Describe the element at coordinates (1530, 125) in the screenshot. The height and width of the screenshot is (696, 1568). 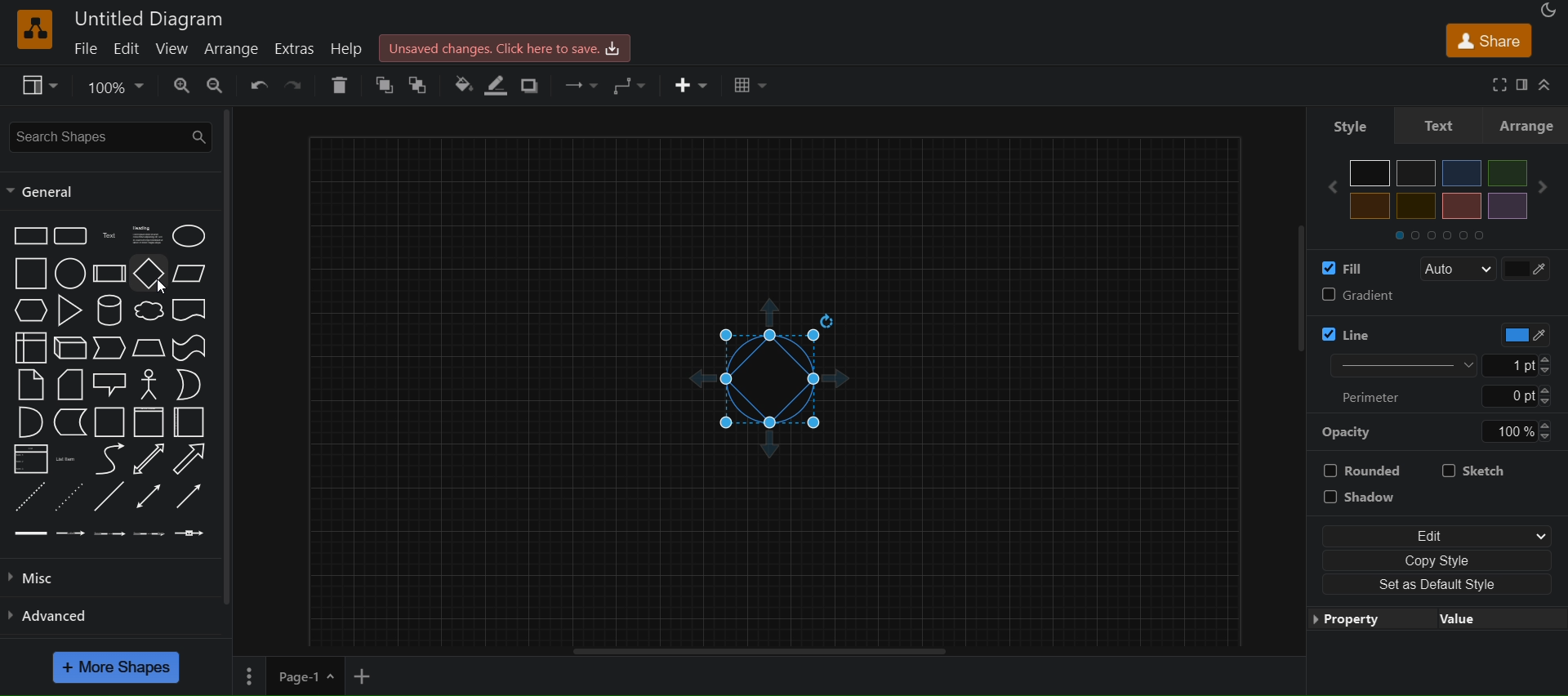
I see `arrange` at that location.